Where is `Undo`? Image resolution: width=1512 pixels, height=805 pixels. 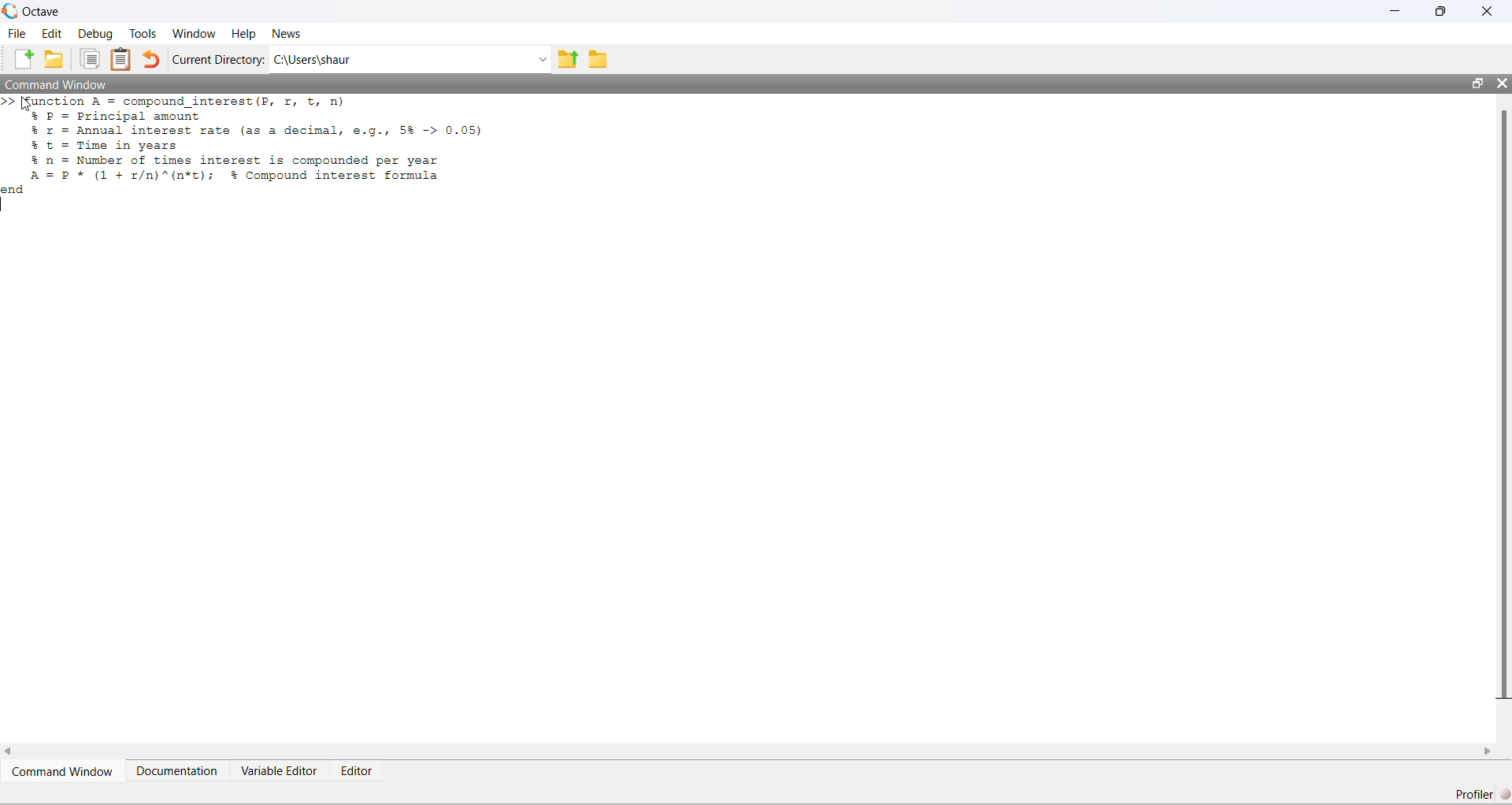 Undo is located at coordinates (150, 59).